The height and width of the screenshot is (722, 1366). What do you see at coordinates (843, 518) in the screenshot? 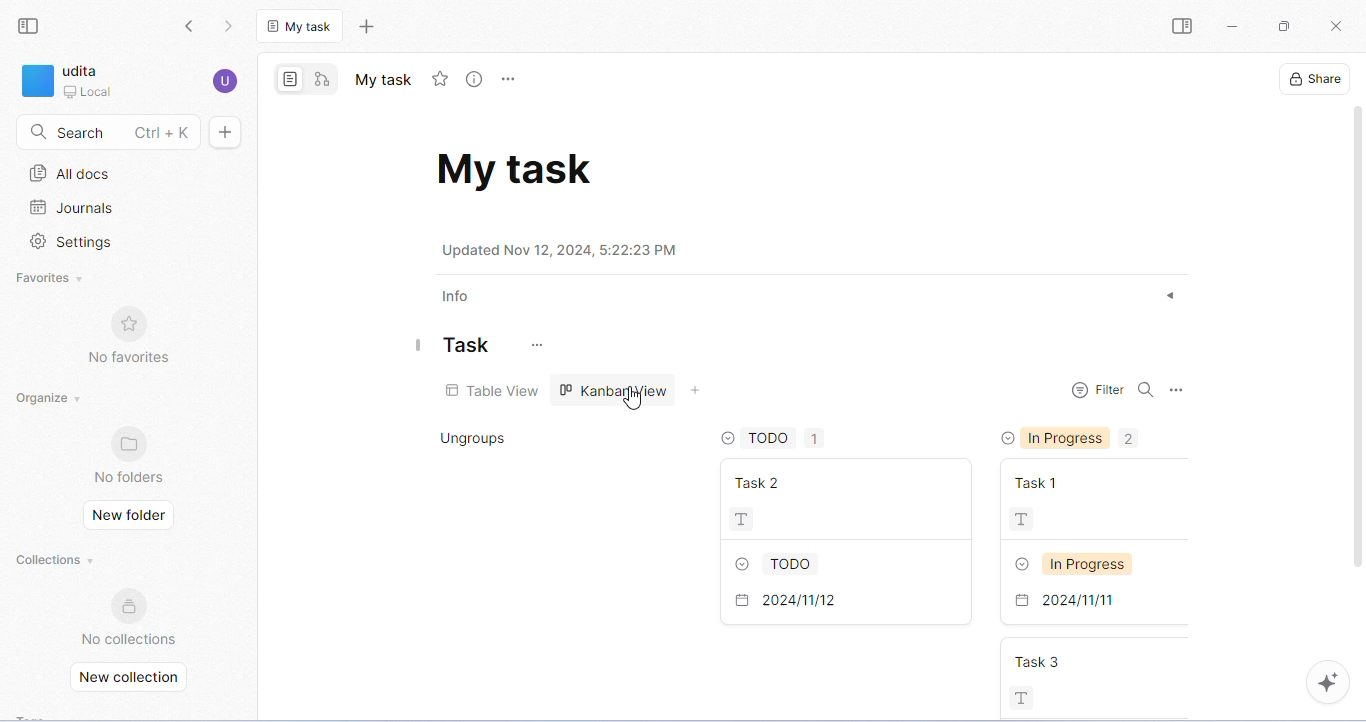
I see `T` at bounding box center [843, 518].